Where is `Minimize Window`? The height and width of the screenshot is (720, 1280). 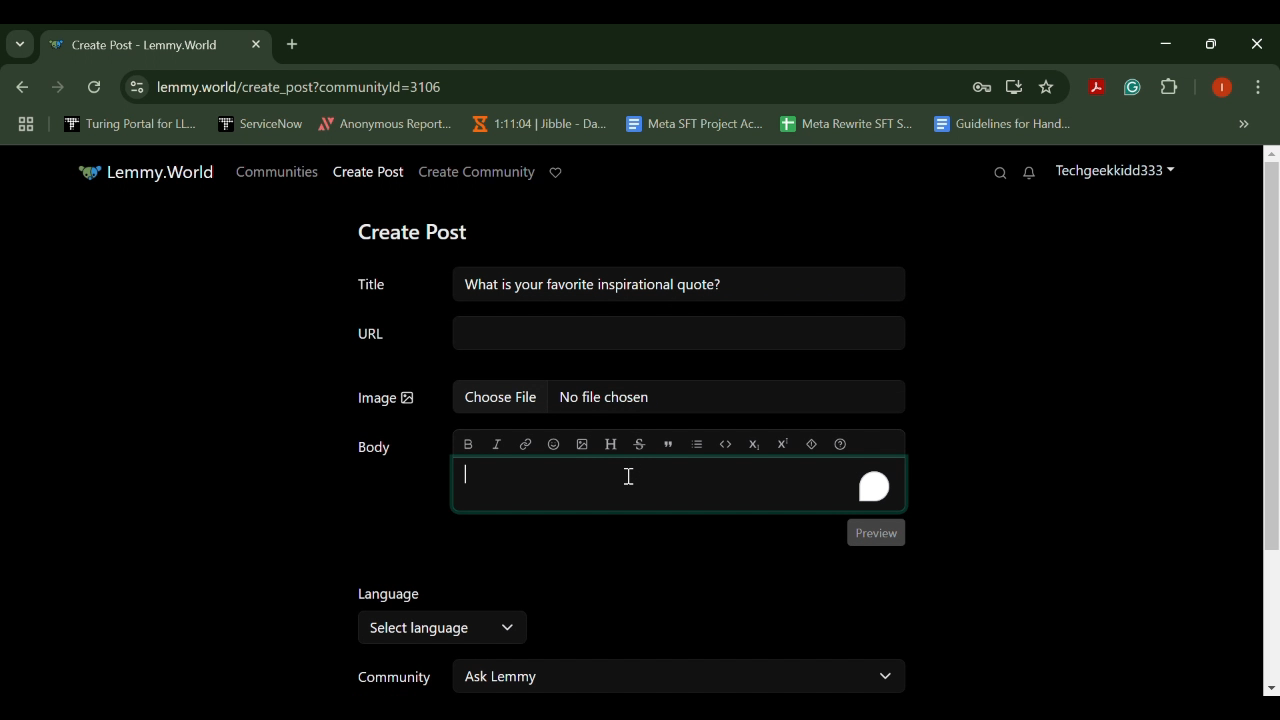
Minimize Window is located at coordinates (1214, 43).